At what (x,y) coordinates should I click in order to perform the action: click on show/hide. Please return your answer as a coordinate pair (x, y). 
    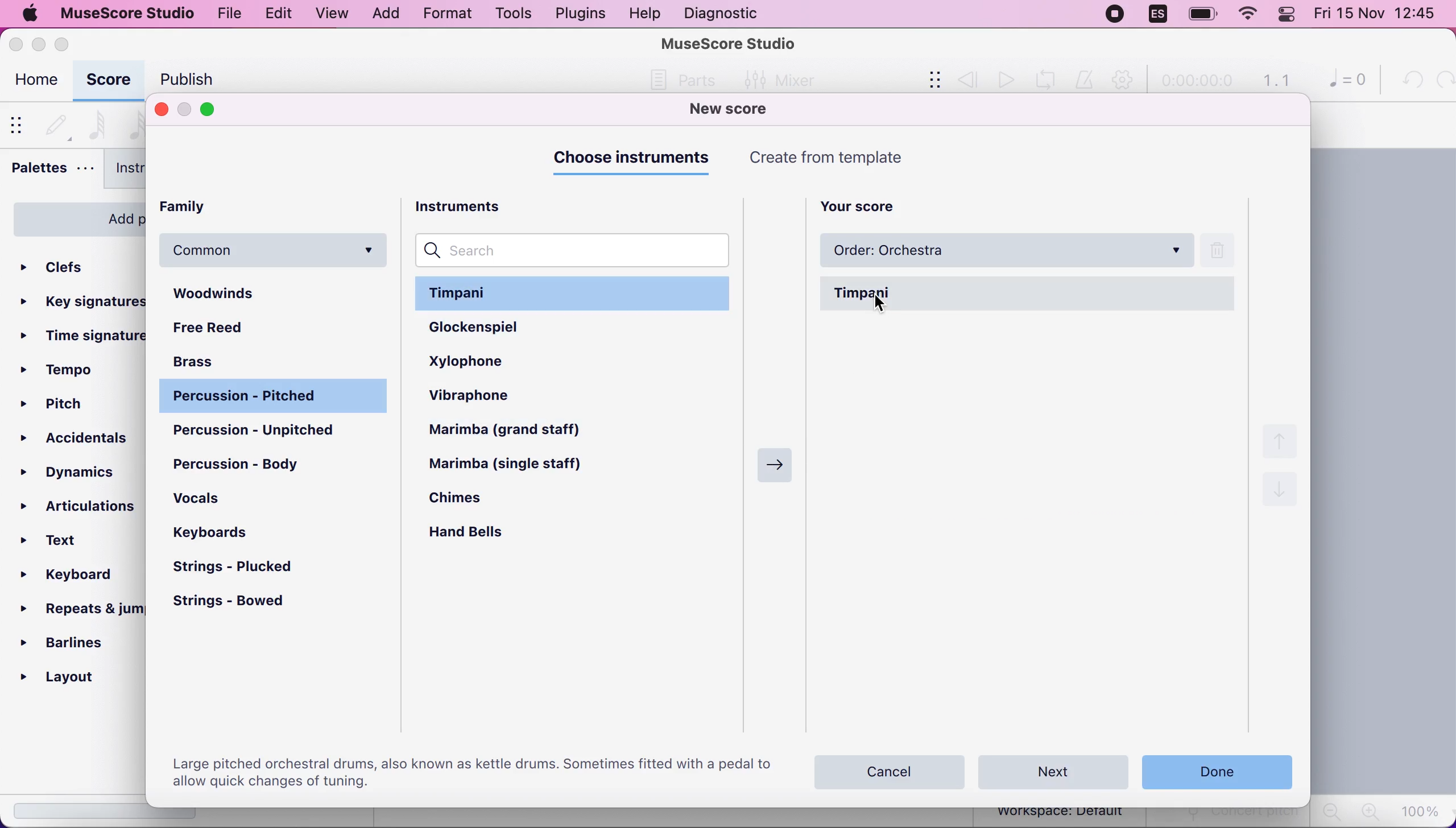
    Looking at the image, I should click on (926, 81).